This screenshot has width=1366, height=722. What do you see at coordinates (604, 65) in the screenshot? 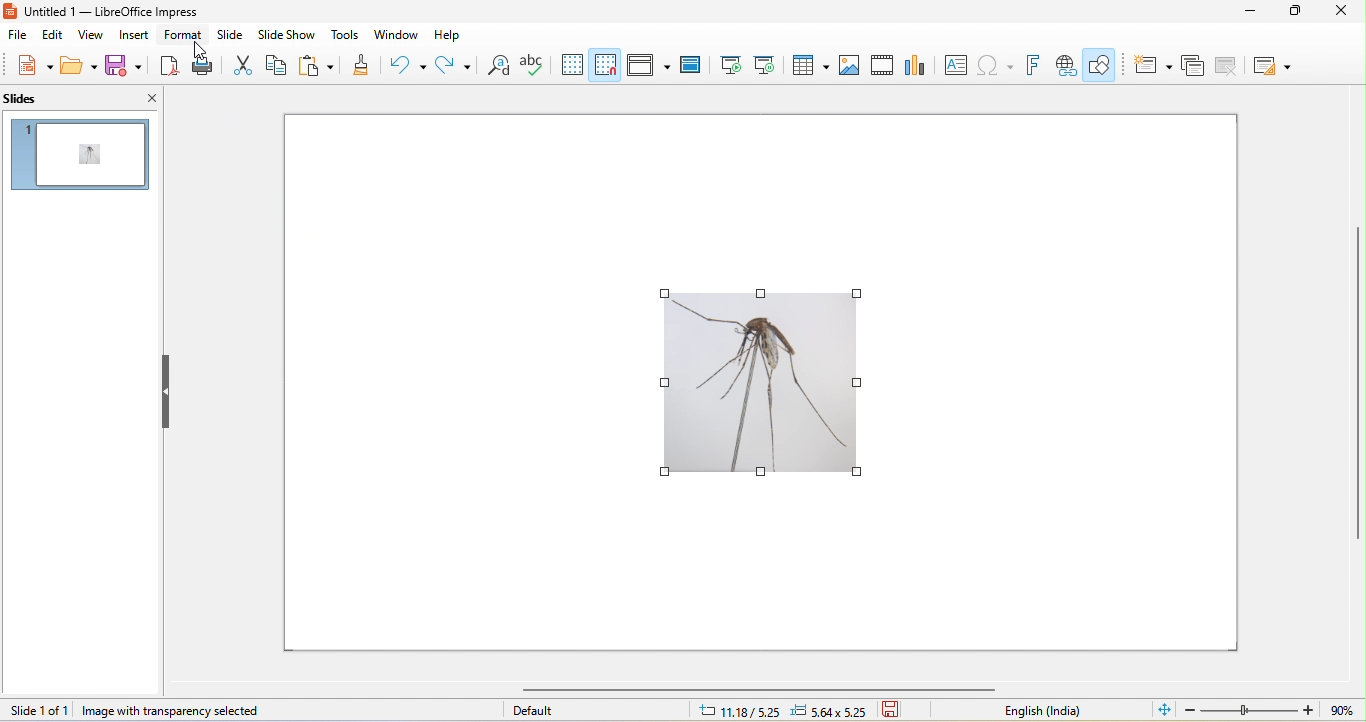
I see `snap to grid` at bounding box center [604, 65].